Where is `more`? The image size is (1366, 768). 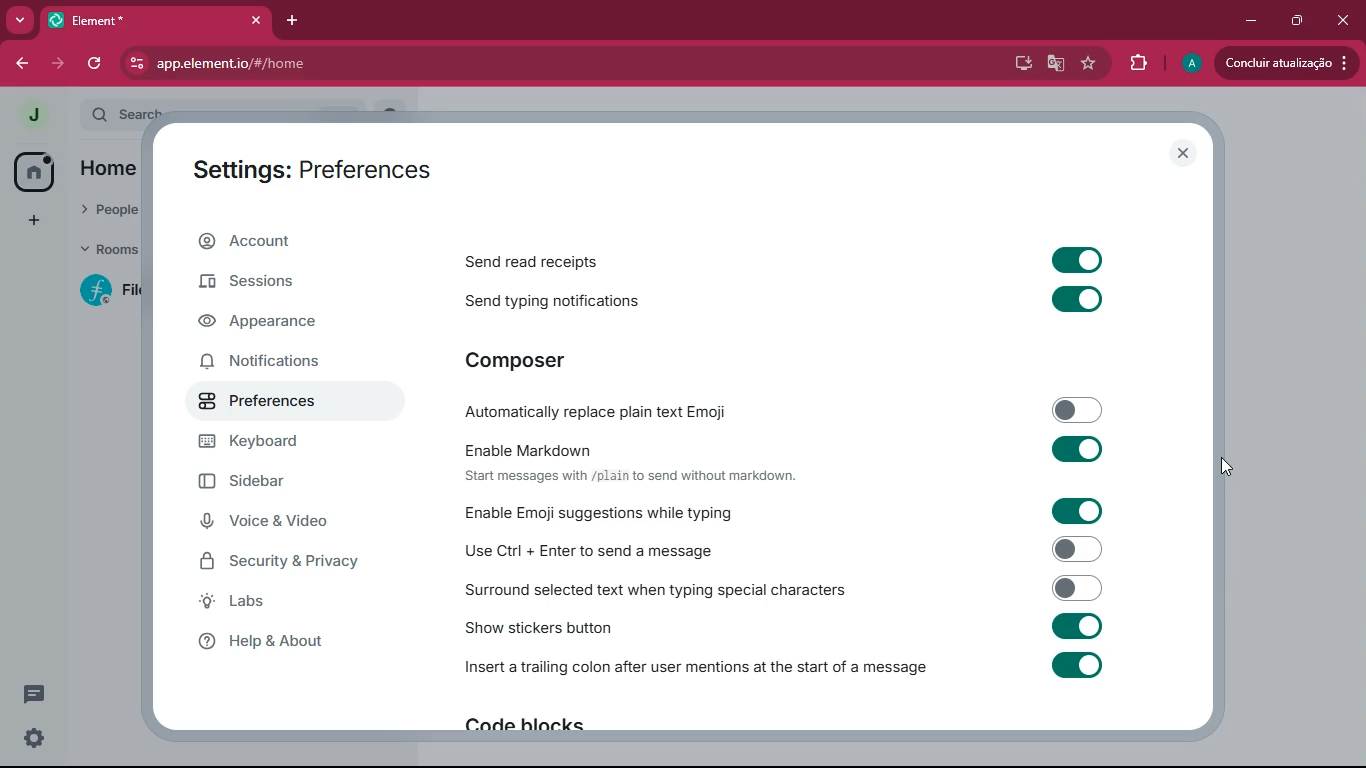 more is located at coordinates (20, 21).